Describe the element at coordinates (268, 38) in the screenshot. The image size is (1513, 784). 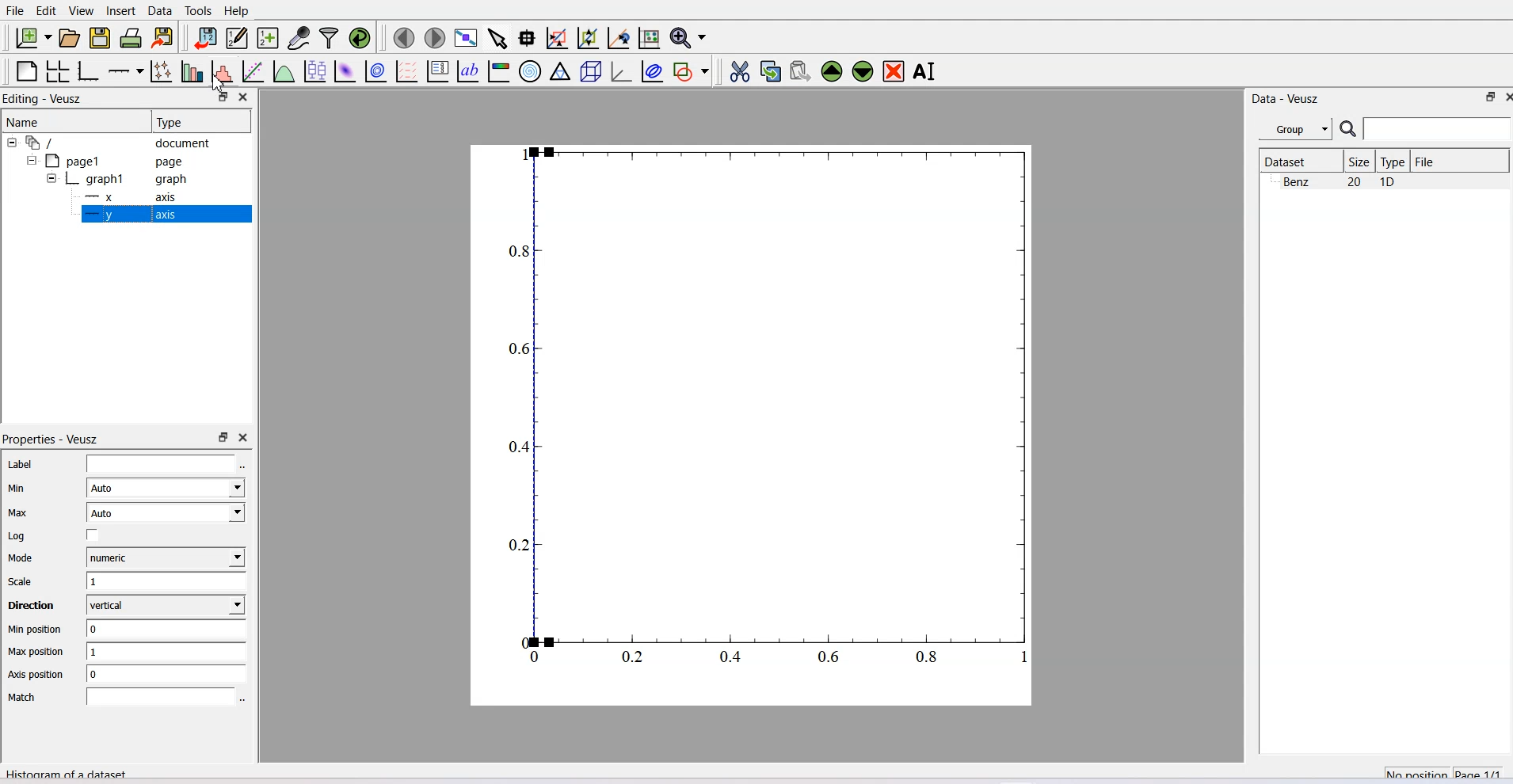
I see `Create a new dataset` at that location.